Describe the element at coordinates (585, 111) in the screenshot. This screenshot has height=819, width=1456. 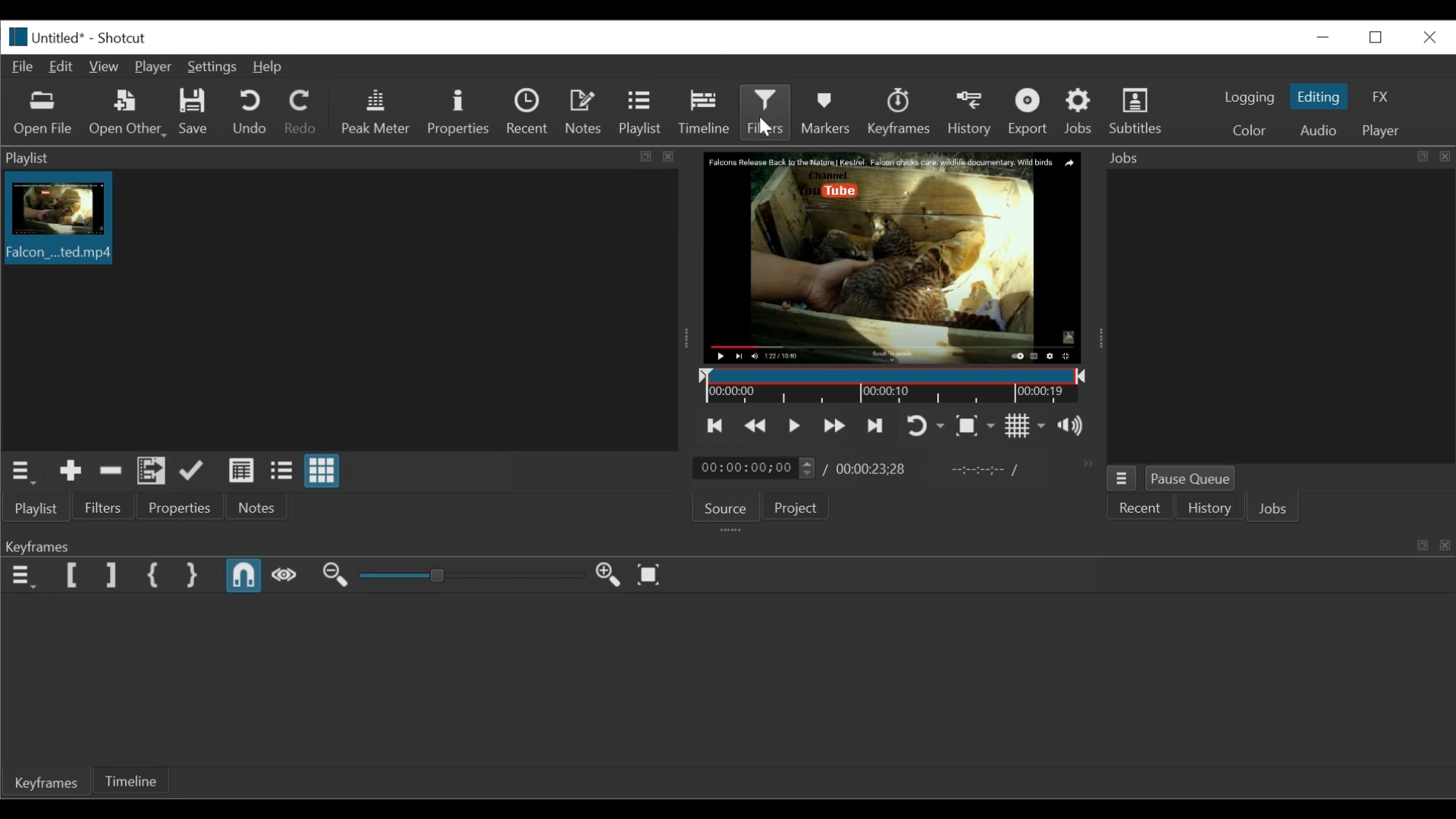
I see `Notes` at that location.